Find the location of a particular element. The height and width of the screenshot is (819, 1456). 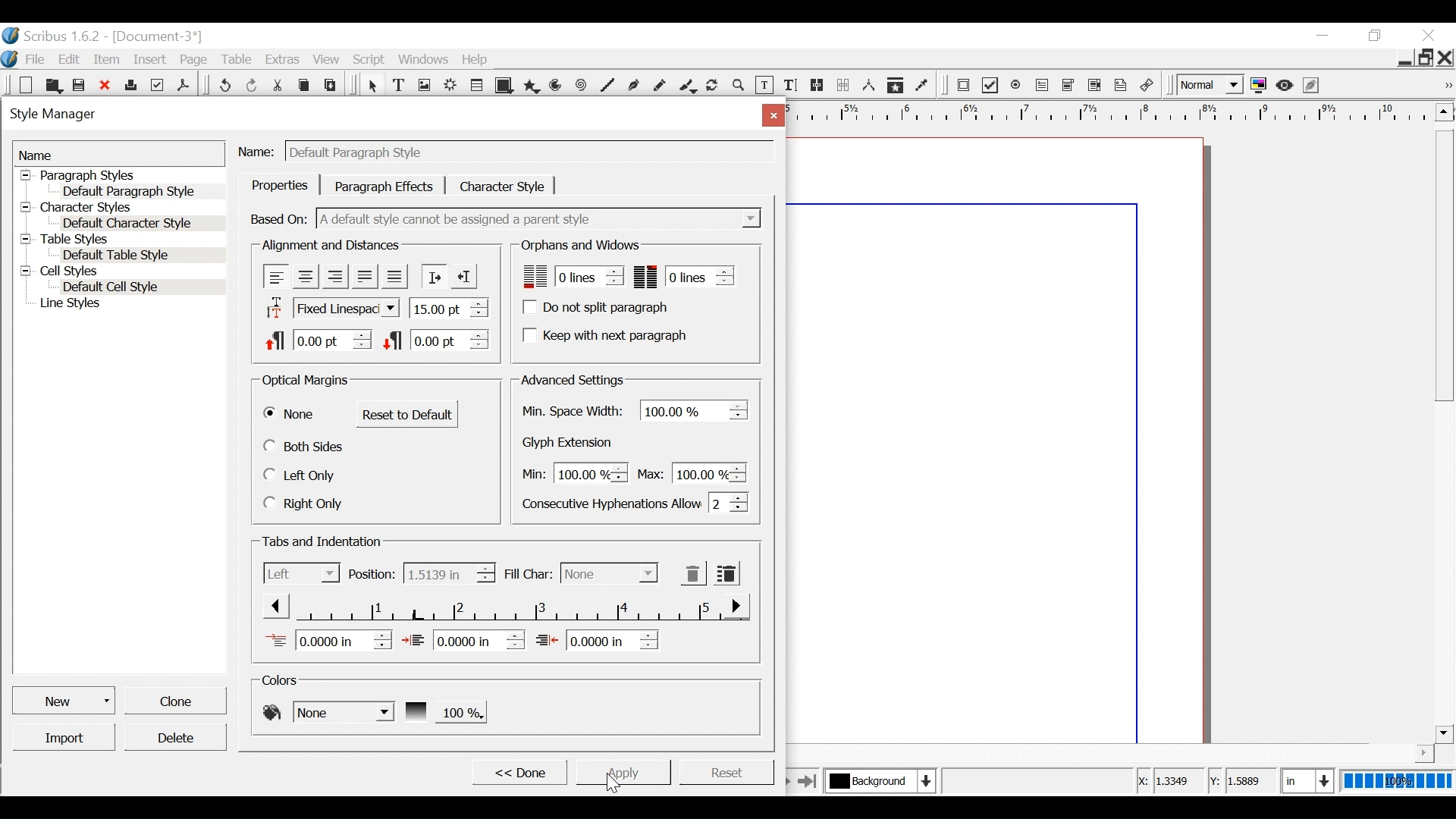

Paste is located at coordinates (333, 84).